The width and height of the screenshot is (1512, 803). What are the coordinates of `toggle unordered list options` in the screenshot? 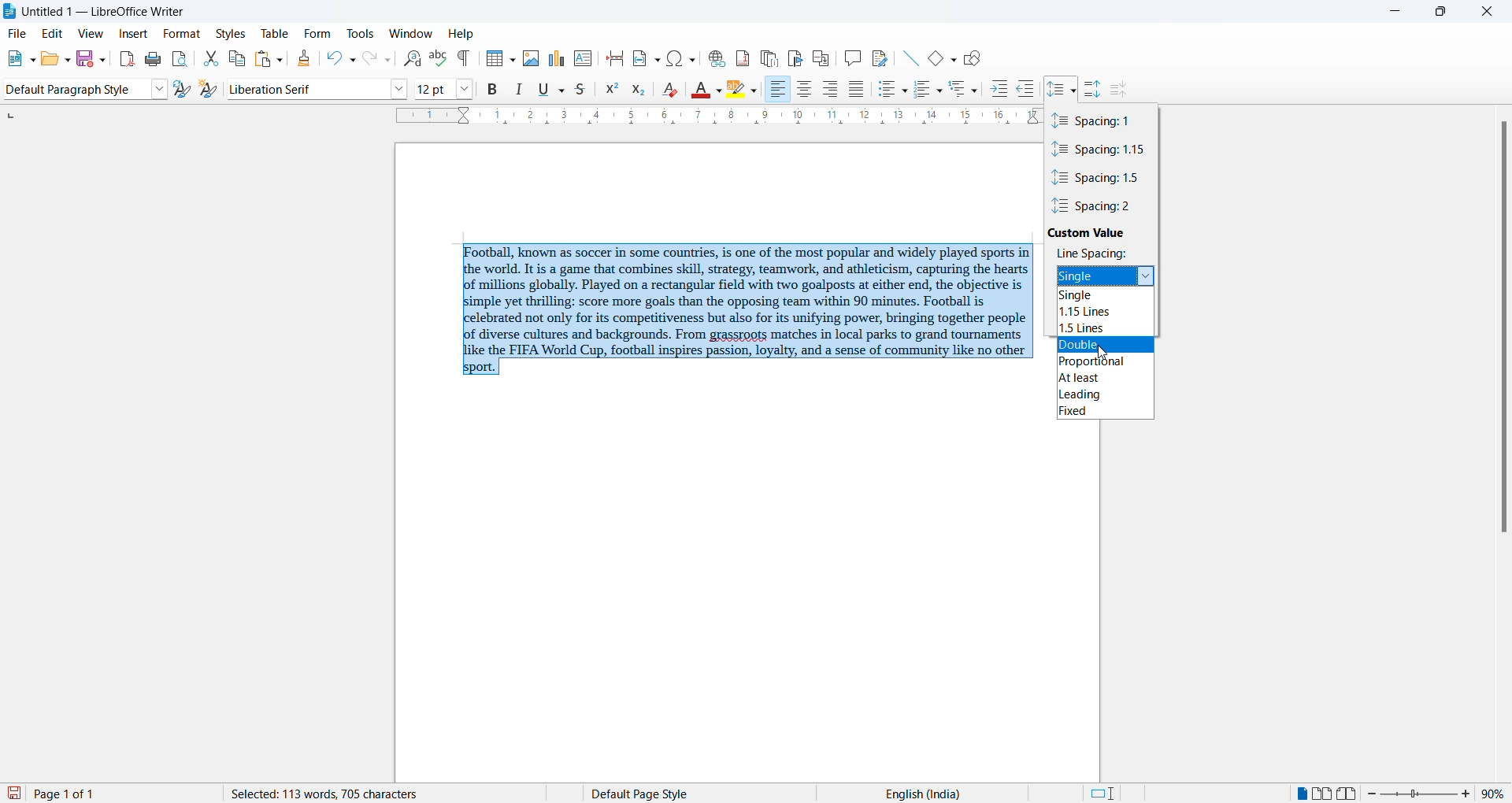 It's located at (903, 92).